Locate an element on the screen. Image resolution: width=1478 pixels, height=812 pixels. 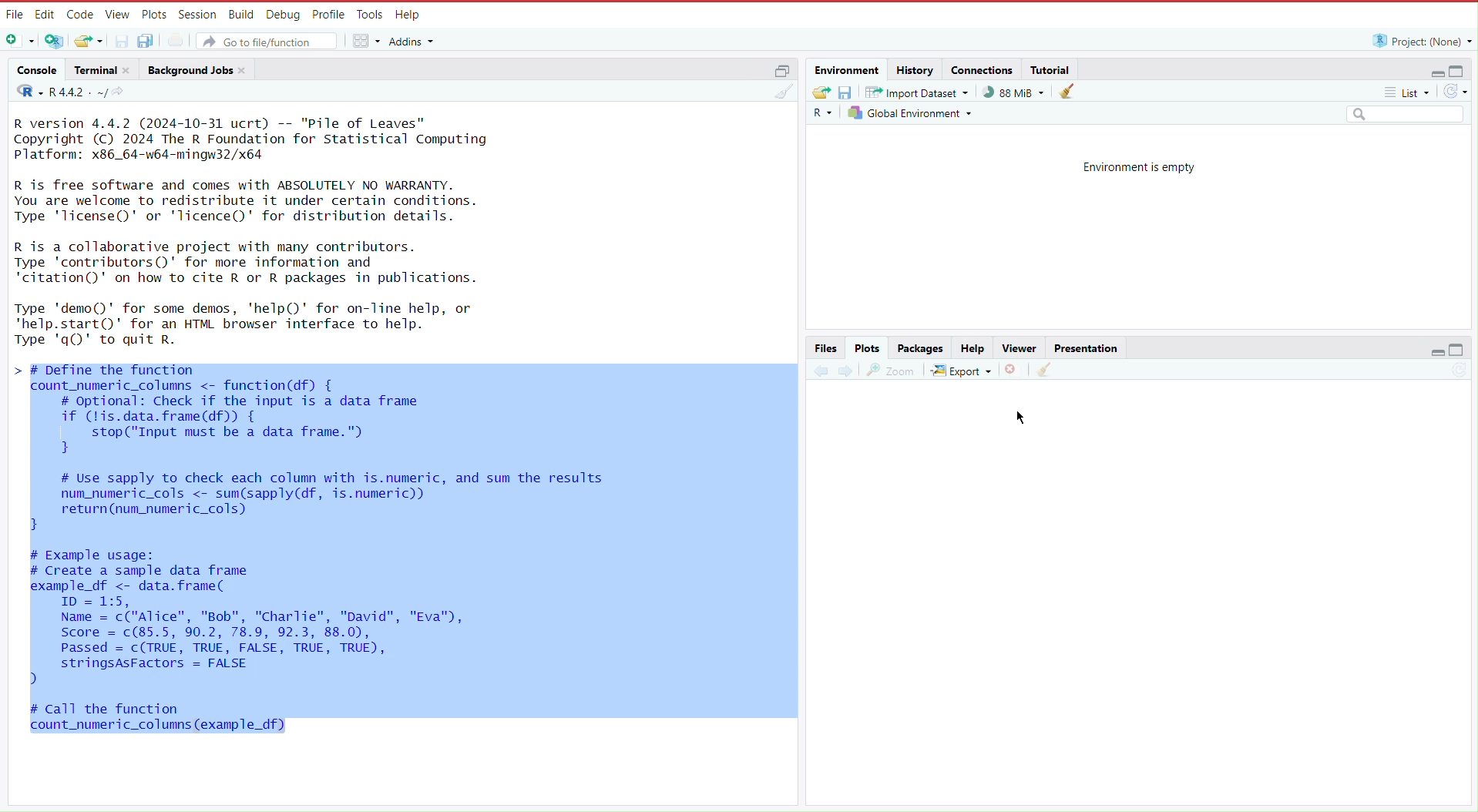
Save all open documents (Ctrl + Alt + S) is located at coordinates (153, 40).